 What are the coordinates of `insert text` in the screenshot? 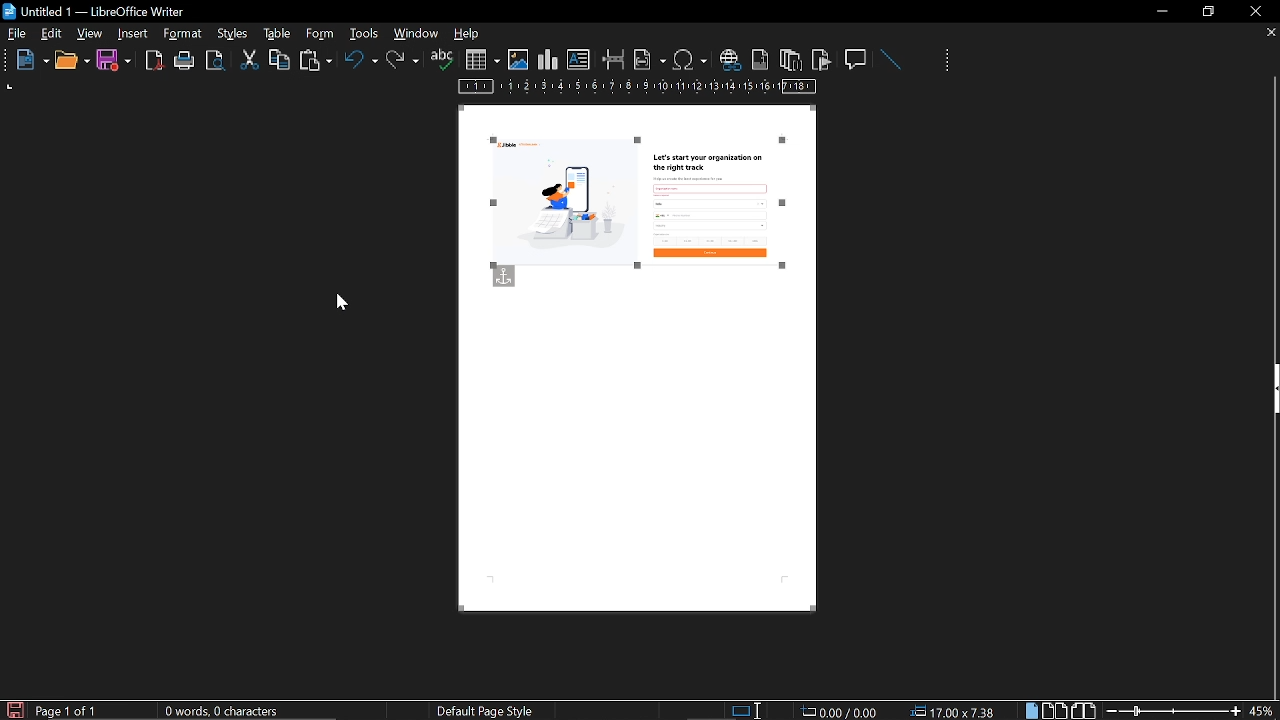 It's located at (579, 60).